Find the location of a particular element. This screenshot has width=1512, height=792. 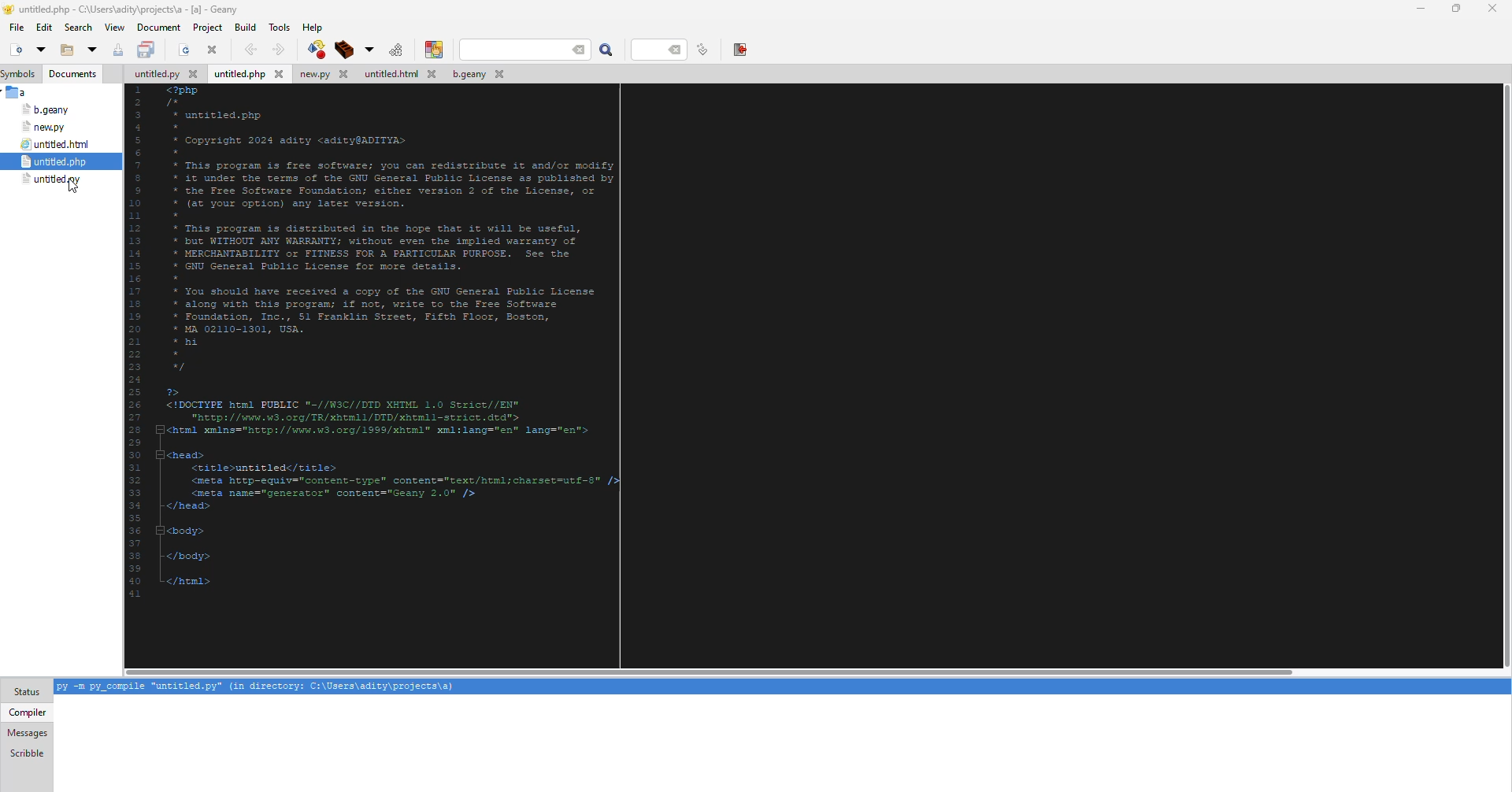

scribble is located at coordinates (26, 753).